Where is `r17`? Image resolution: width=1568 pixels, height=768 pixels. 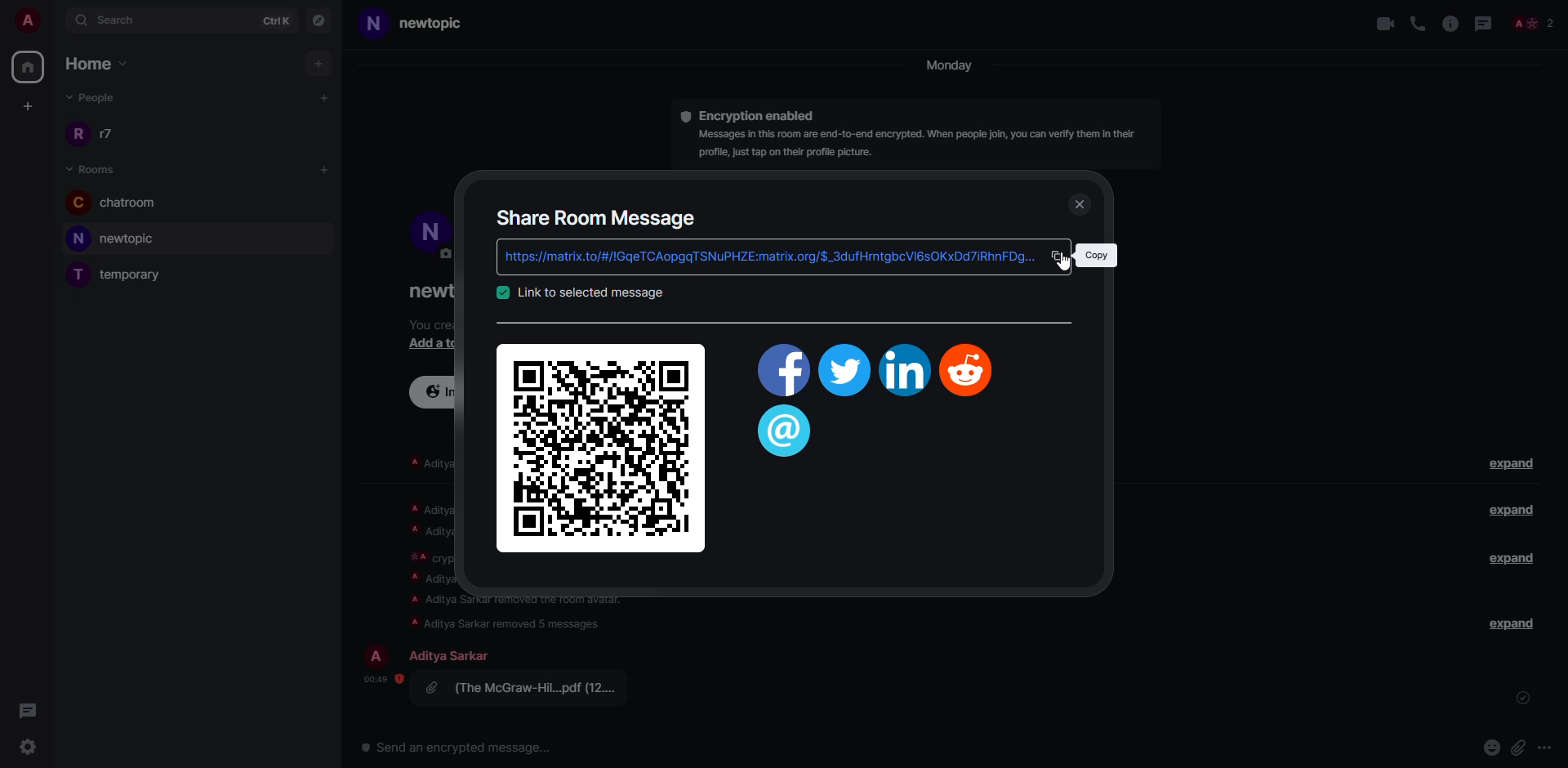 r17 is located at coordinates (93, 132).